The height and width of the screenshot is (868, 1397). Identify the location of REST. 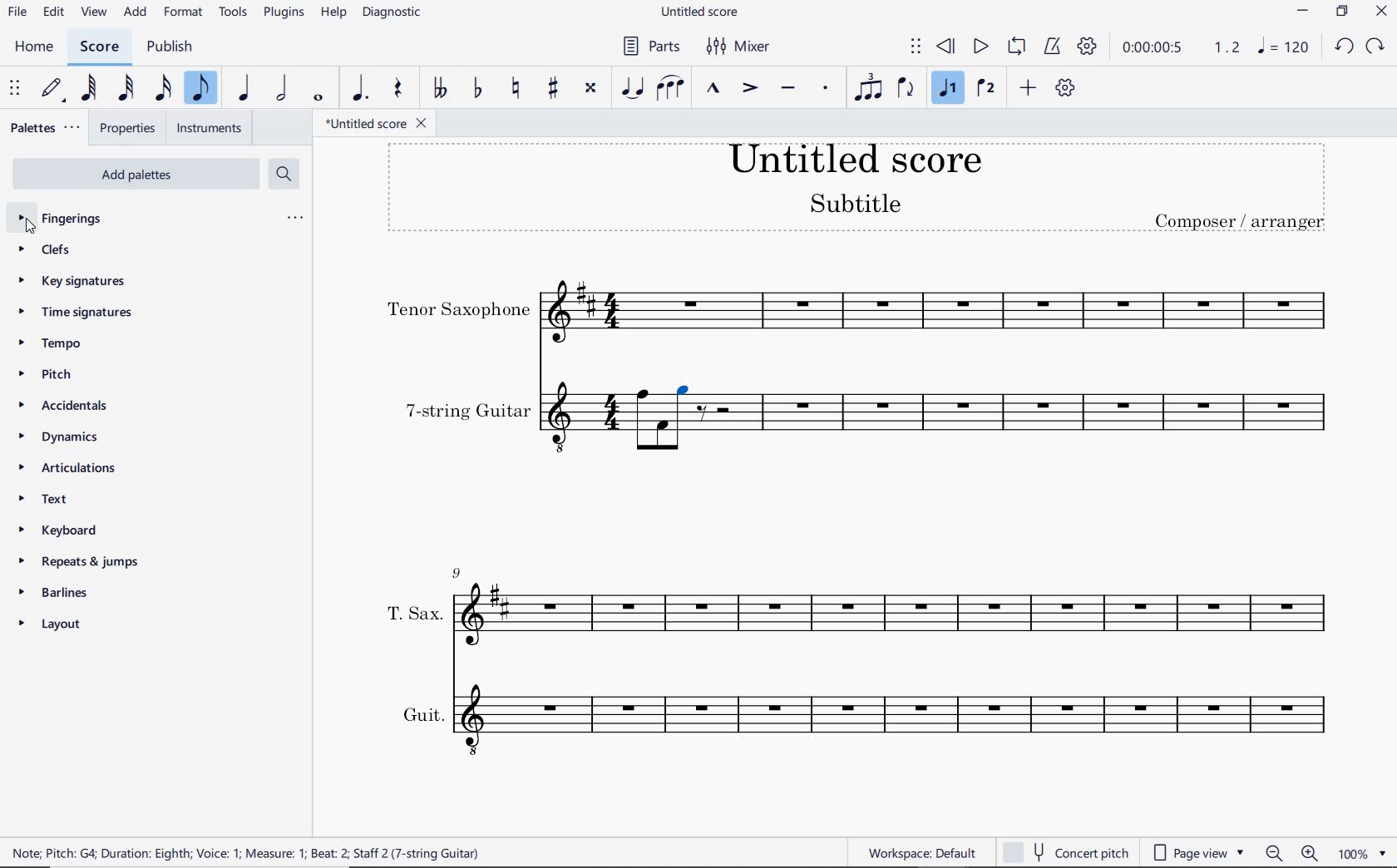
(399, 89).